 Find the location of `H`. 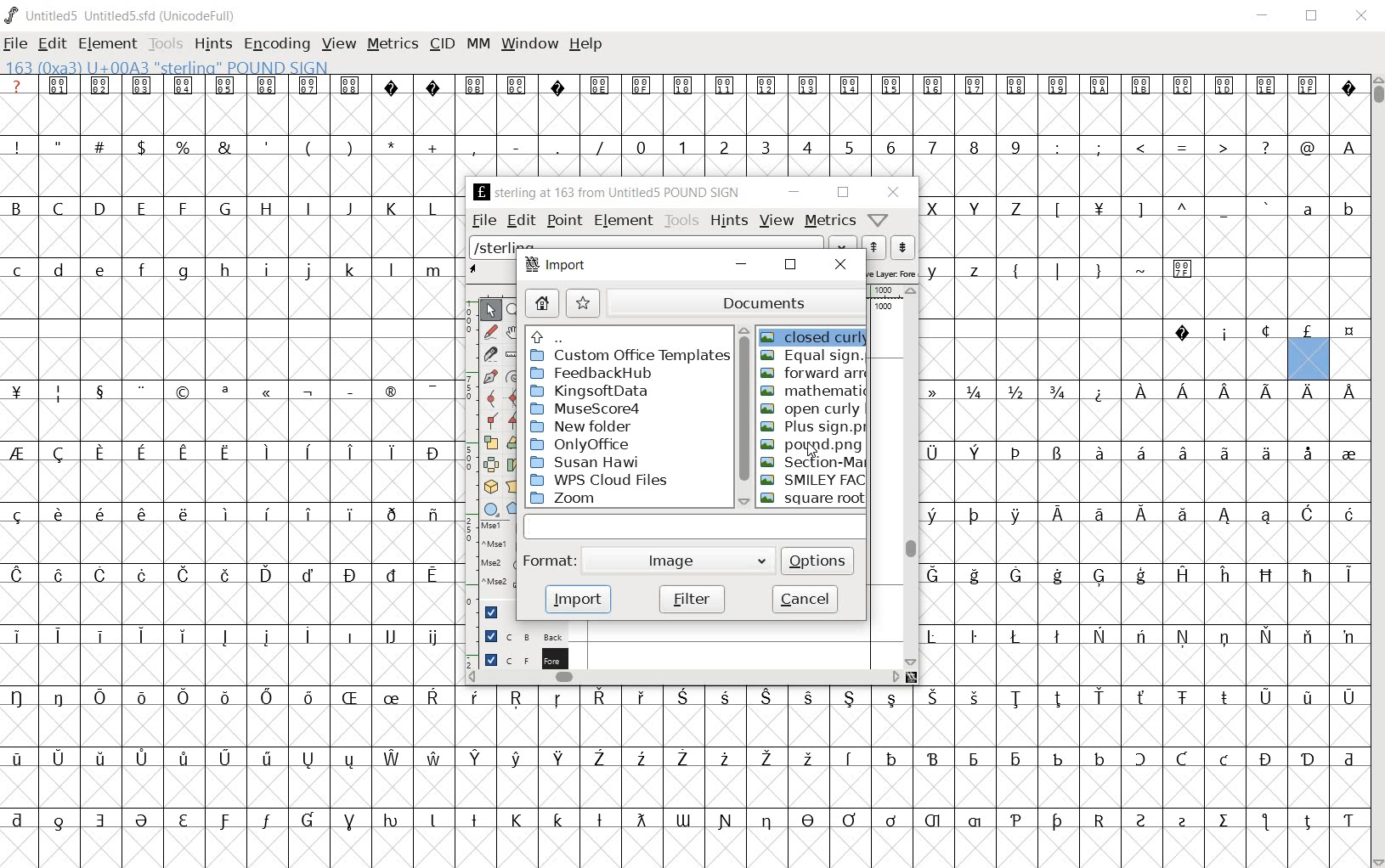

H is located at coordinates (267, 209).